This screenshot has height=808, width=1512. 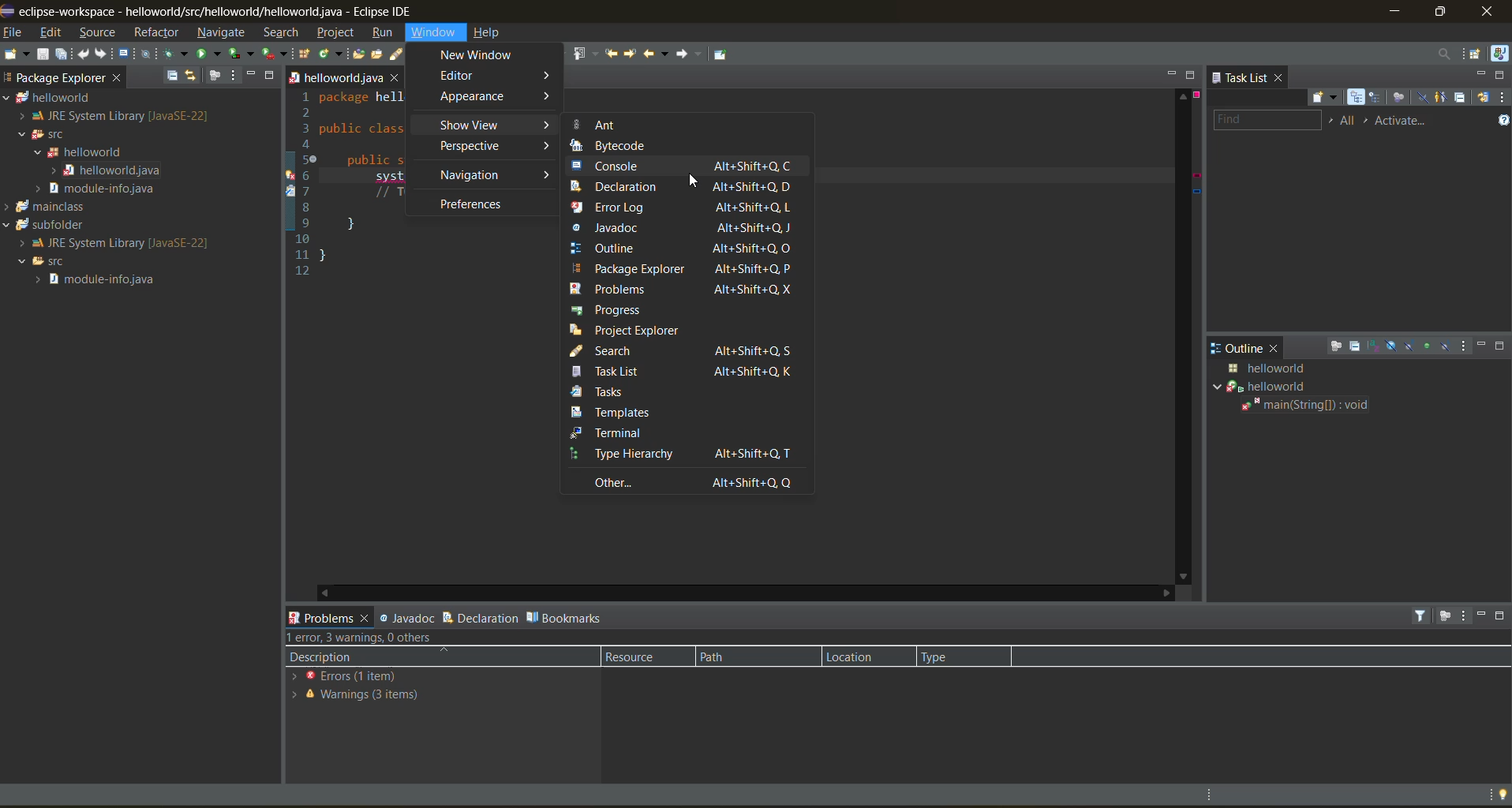 What do you see at coordinates (220, 34) in the screenshot?
I see `navigate` at bounding box center [220, 34].